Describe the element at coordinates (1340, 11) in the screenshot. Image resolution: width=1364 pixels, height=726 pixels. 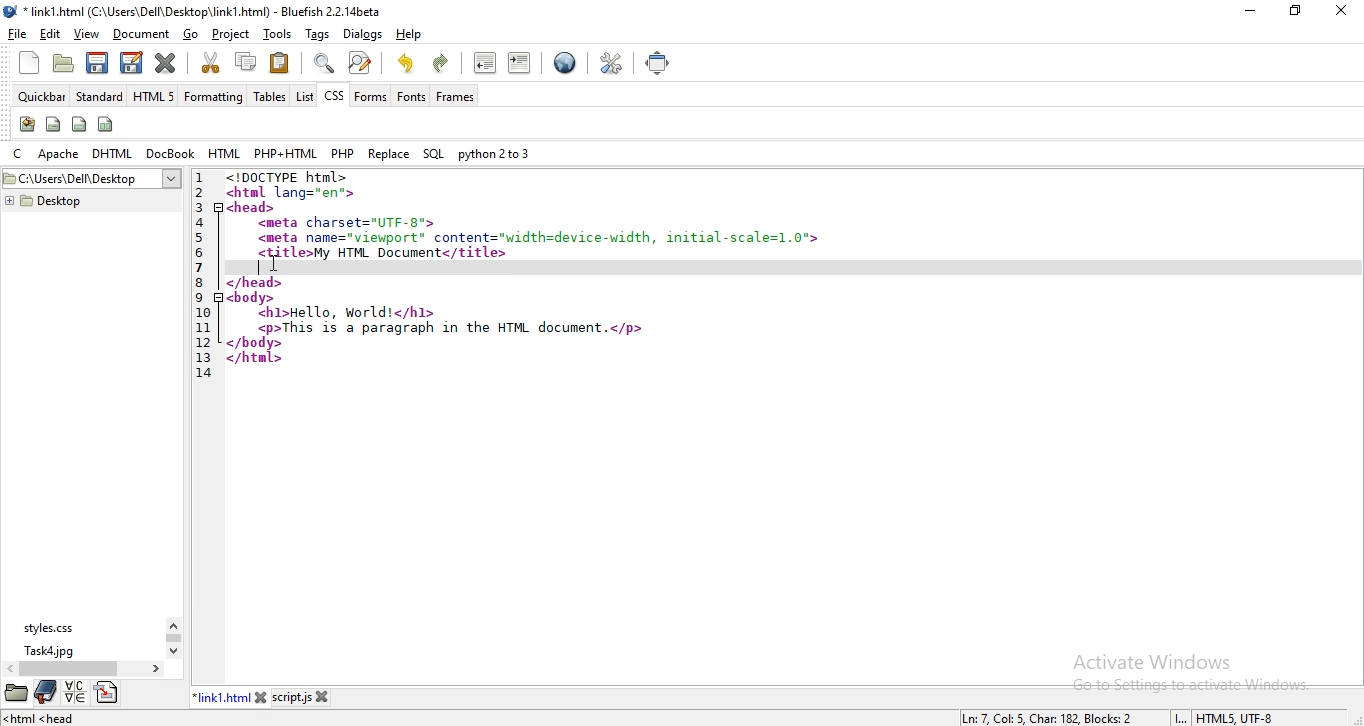
I see `close` at that location.